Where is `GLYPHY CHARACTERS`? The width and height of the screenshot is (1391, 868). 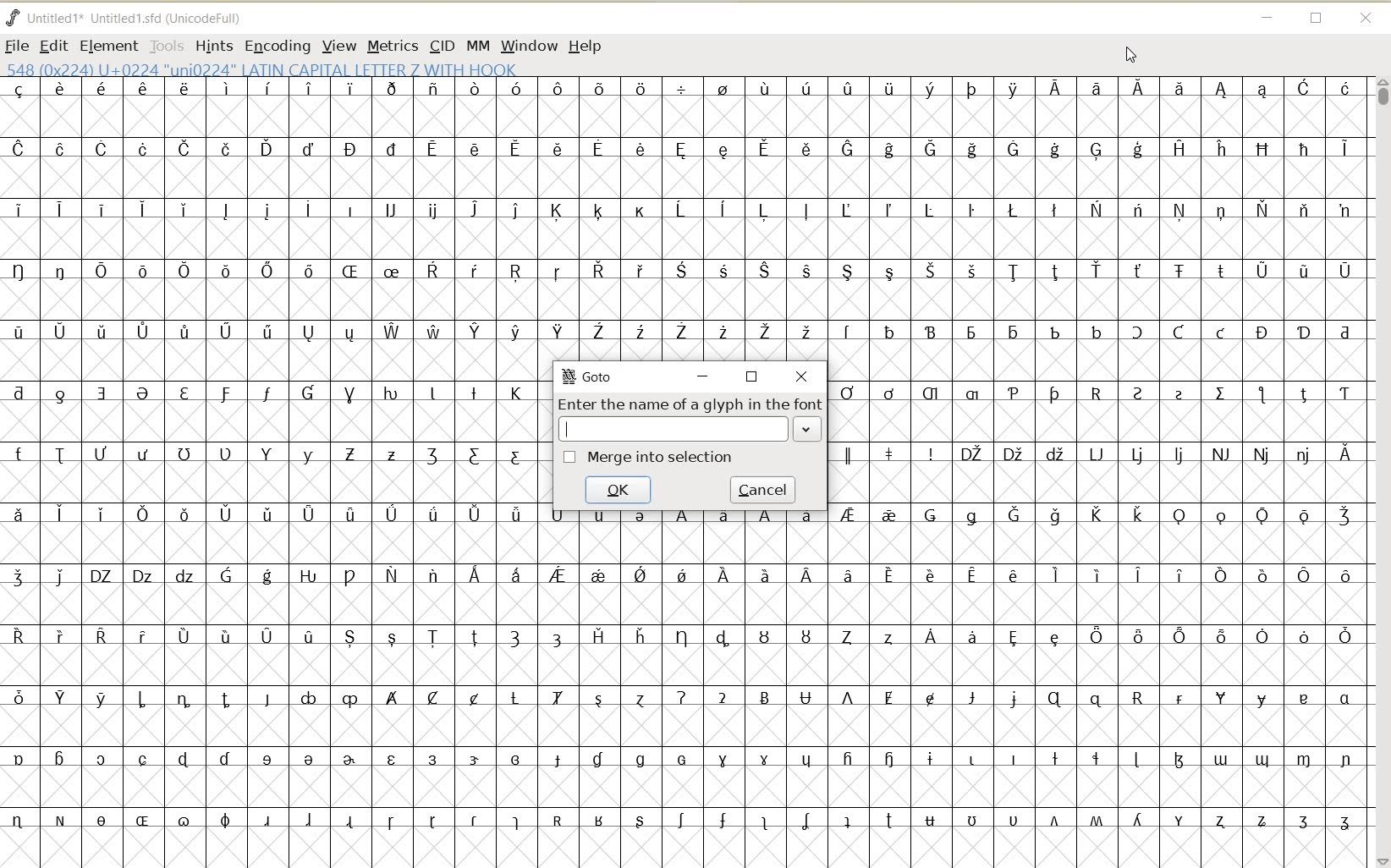
GLYPHY CHARACTERS is located at coordinates (271, 463).